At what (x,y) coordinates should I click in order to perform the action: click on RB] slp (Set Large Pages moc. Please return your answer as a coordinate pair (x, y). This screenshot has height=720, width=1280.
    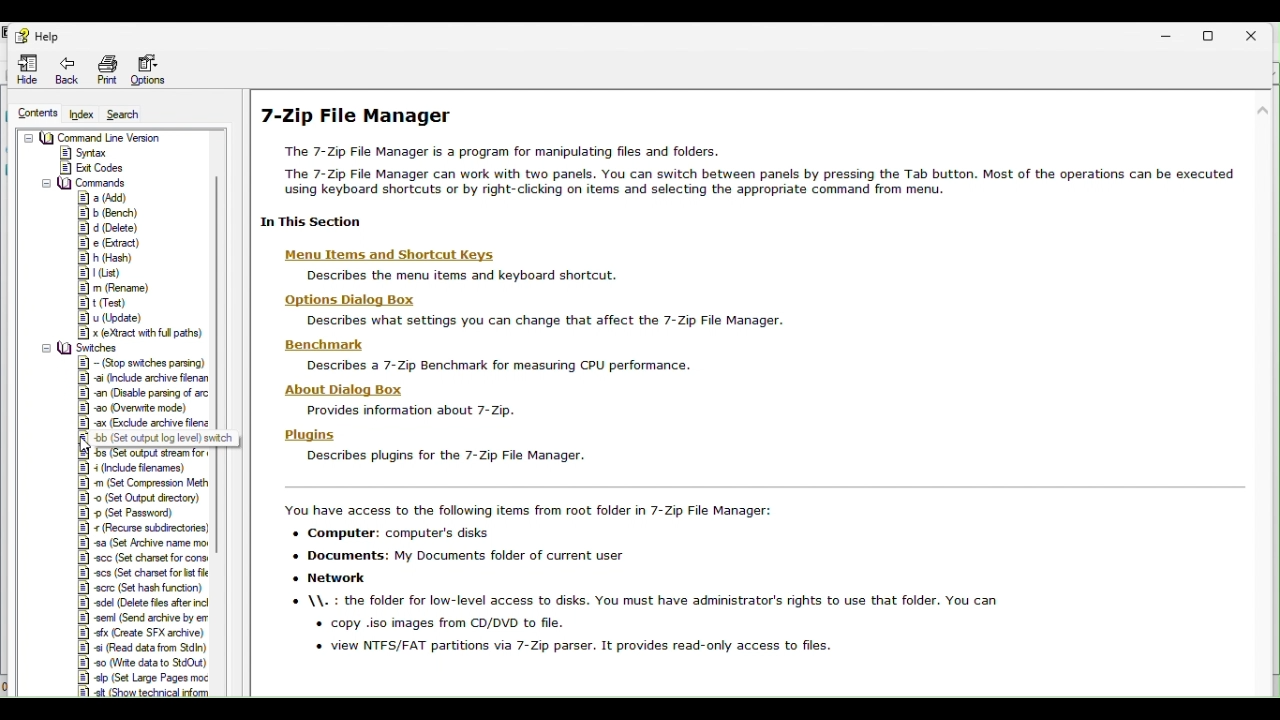
    Looking at the image, I should click on (148, 678).